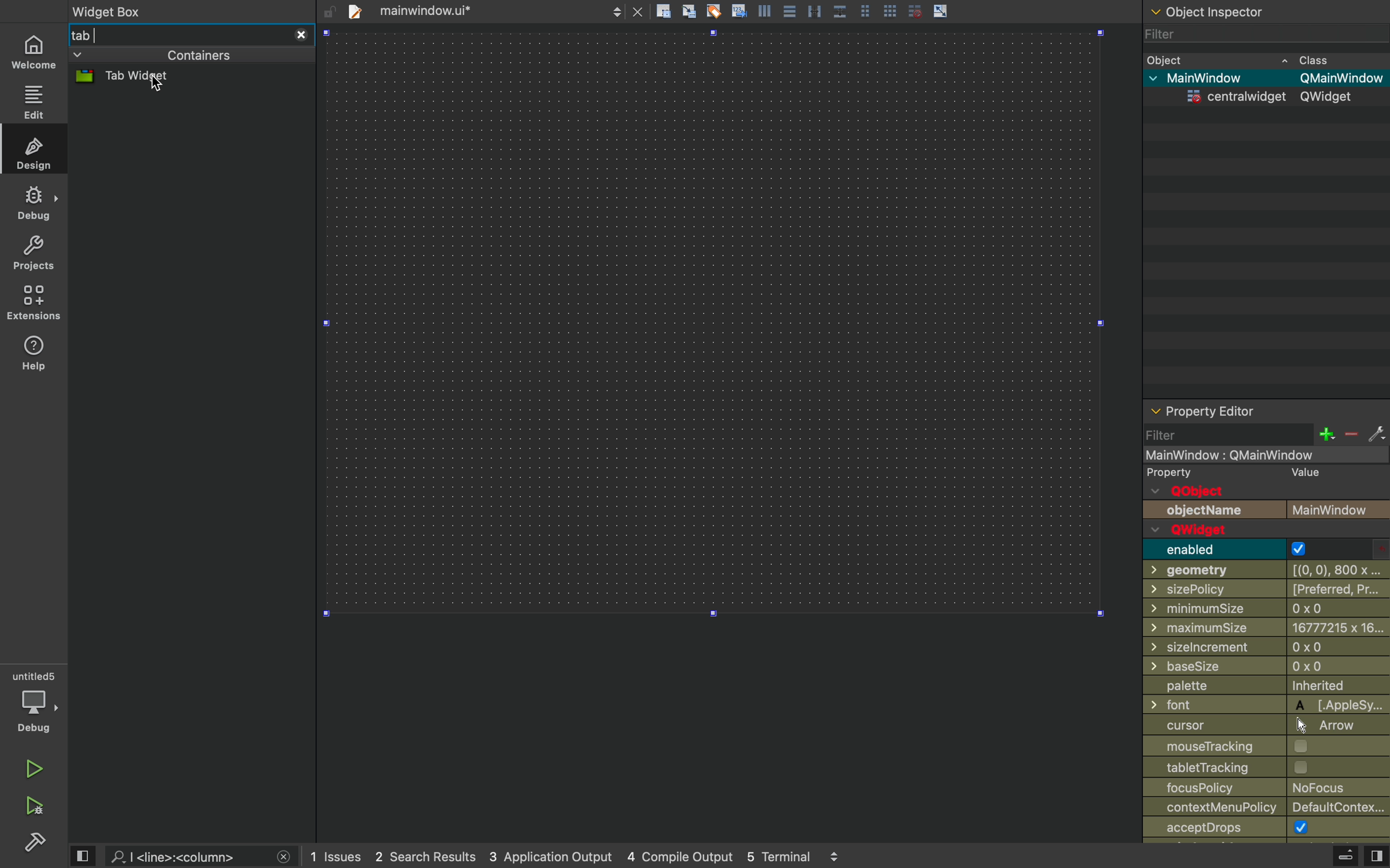 The width and height of the screenshot is (1390, 868). What do you see at coordinates (1257, 473) in the screenshot?
I see `property` at bounding box center [1257, 473].